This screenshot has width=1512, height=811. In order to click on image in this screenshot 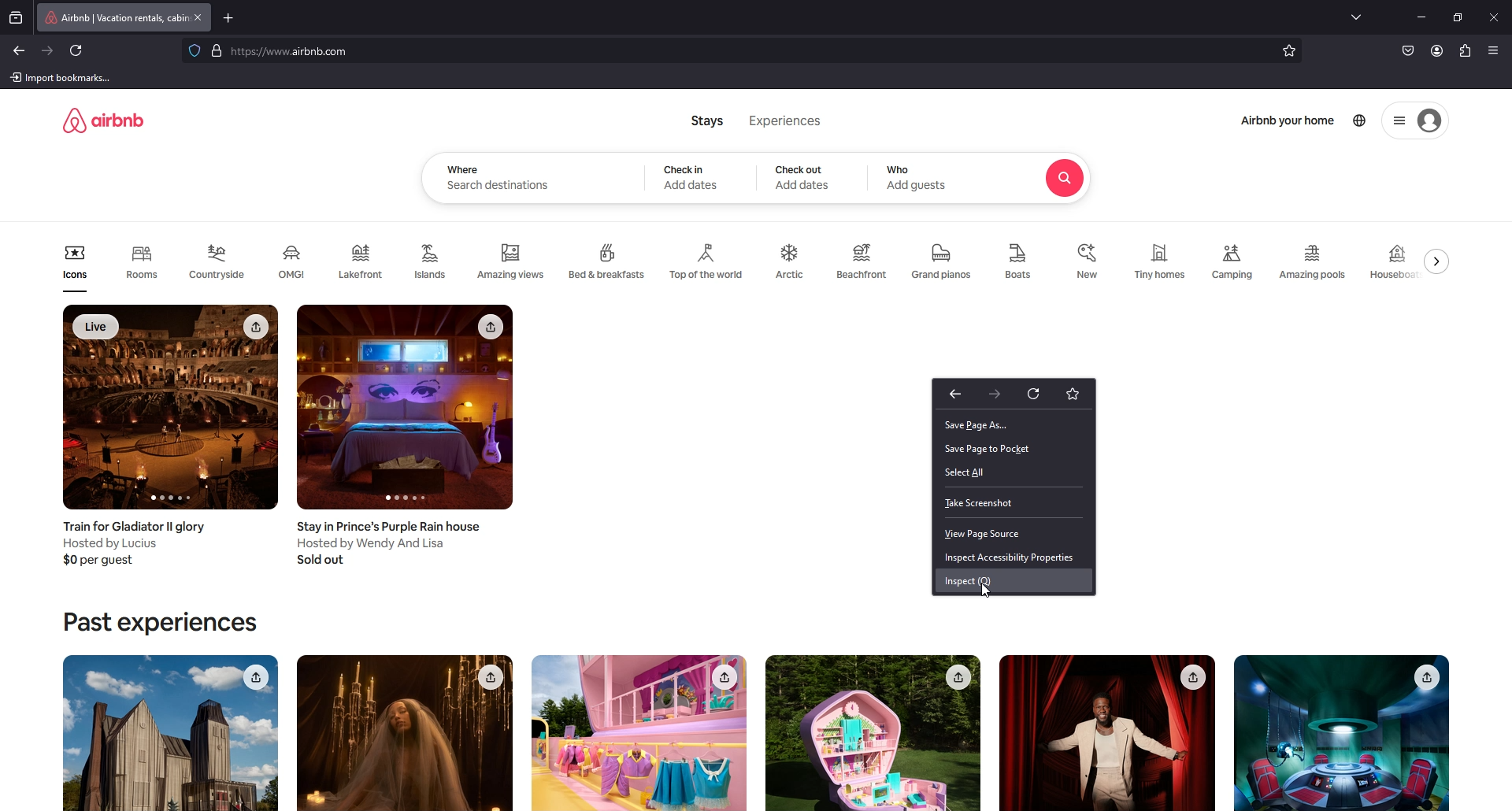, I will do `click(873, 733)`.